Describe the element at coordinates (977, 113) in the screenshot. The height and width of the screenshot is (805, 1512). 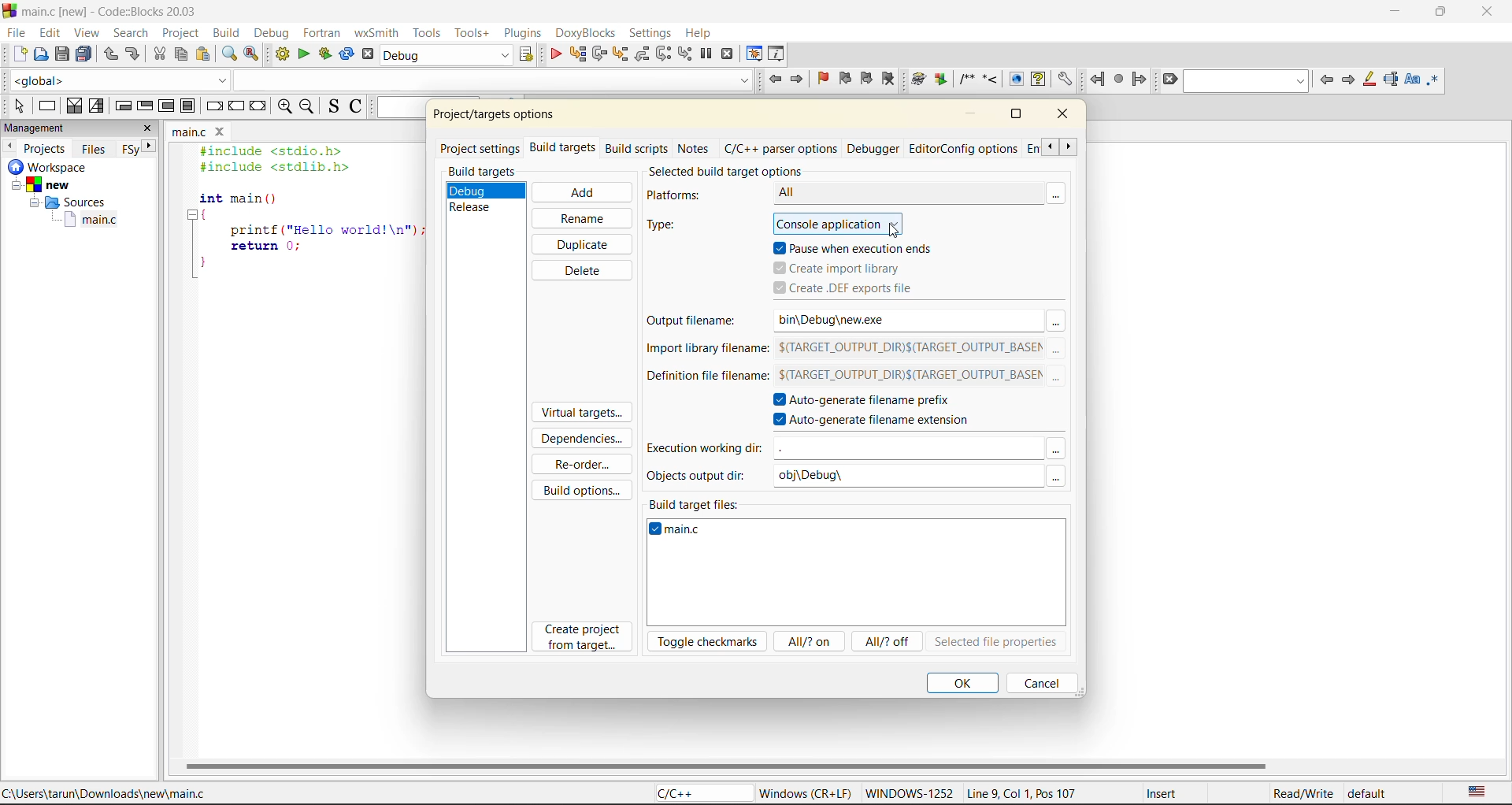
I see `minimize` at that location.